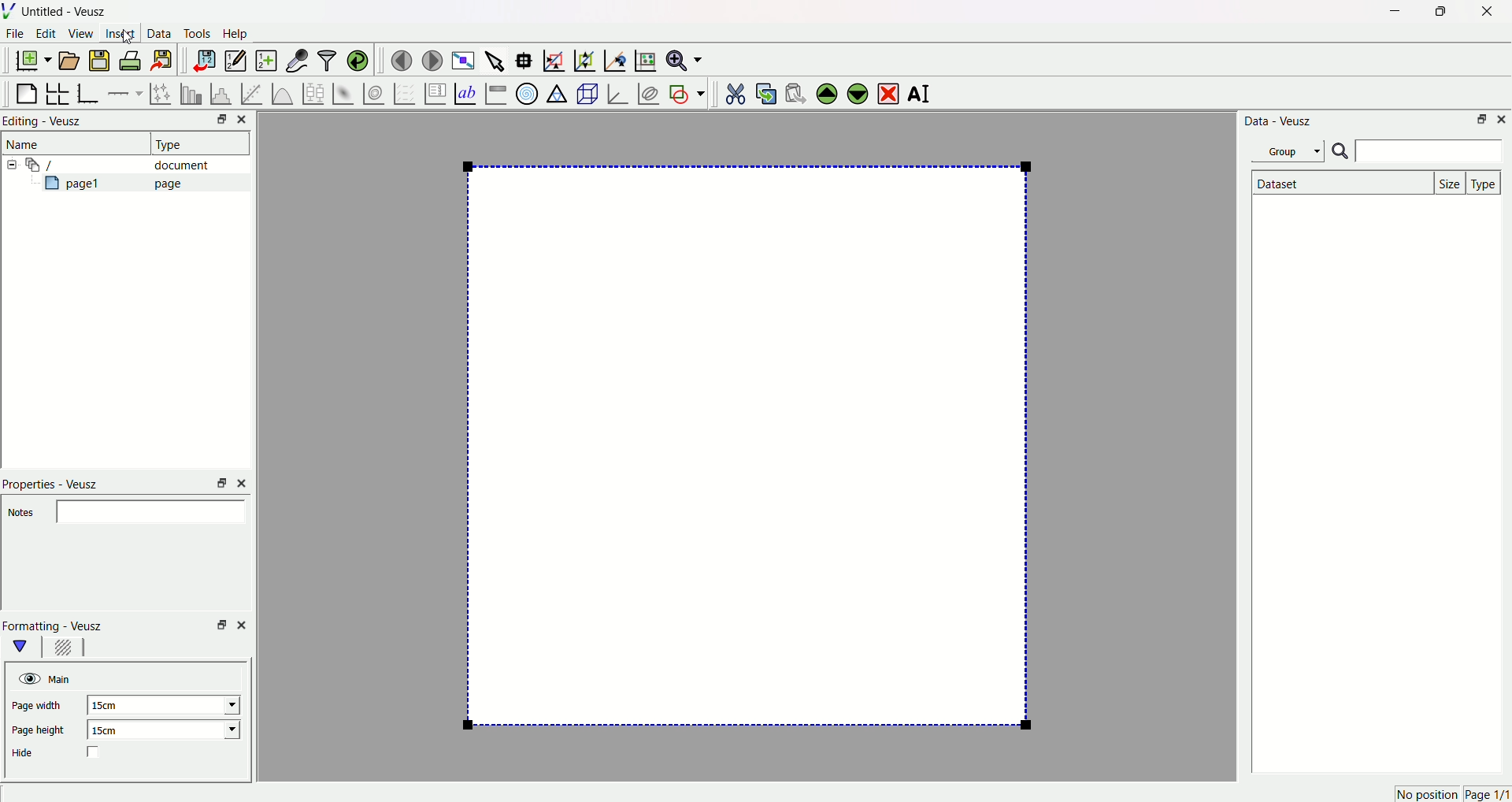  Describe the element at coordinates (95, 753) in the screenshot. I see `checkbox` at that location.